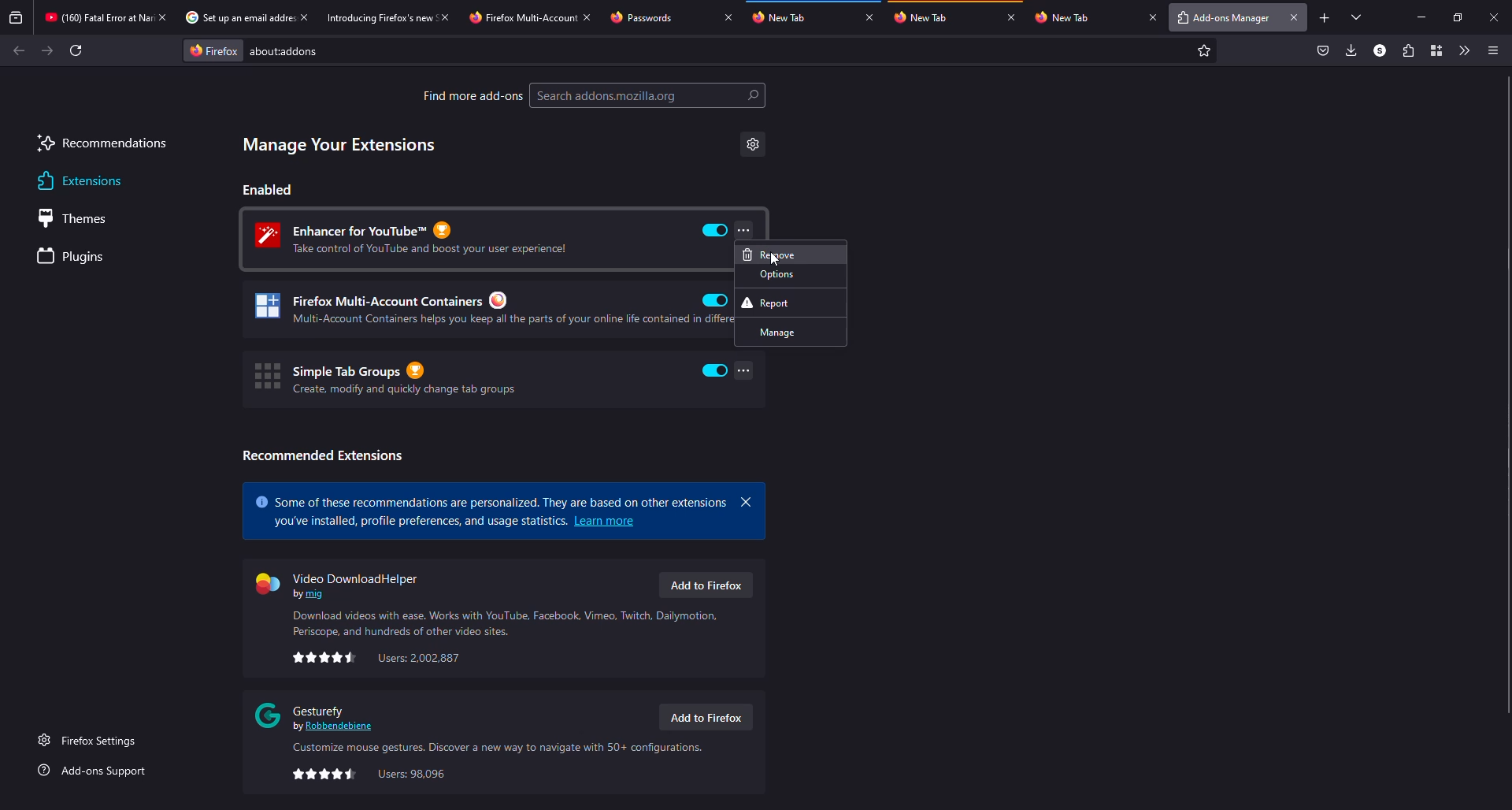 The image size is (1512, 810). I want to click on manage, so click(791, 332).